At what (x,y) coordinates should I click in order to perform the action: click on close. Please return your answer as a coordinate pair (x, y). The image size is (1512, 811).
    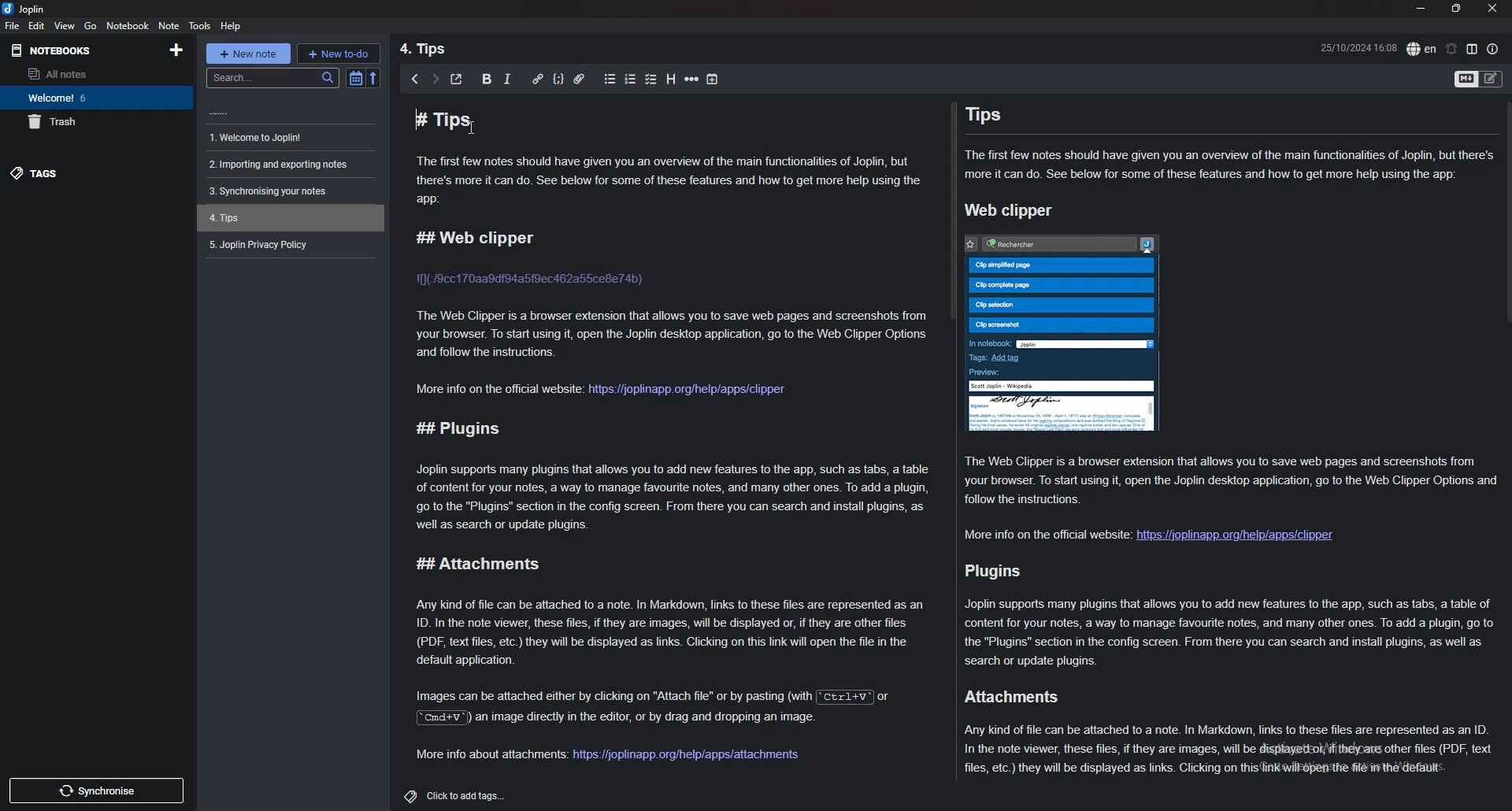
    Looking at the image, I should click on (1494, 8).